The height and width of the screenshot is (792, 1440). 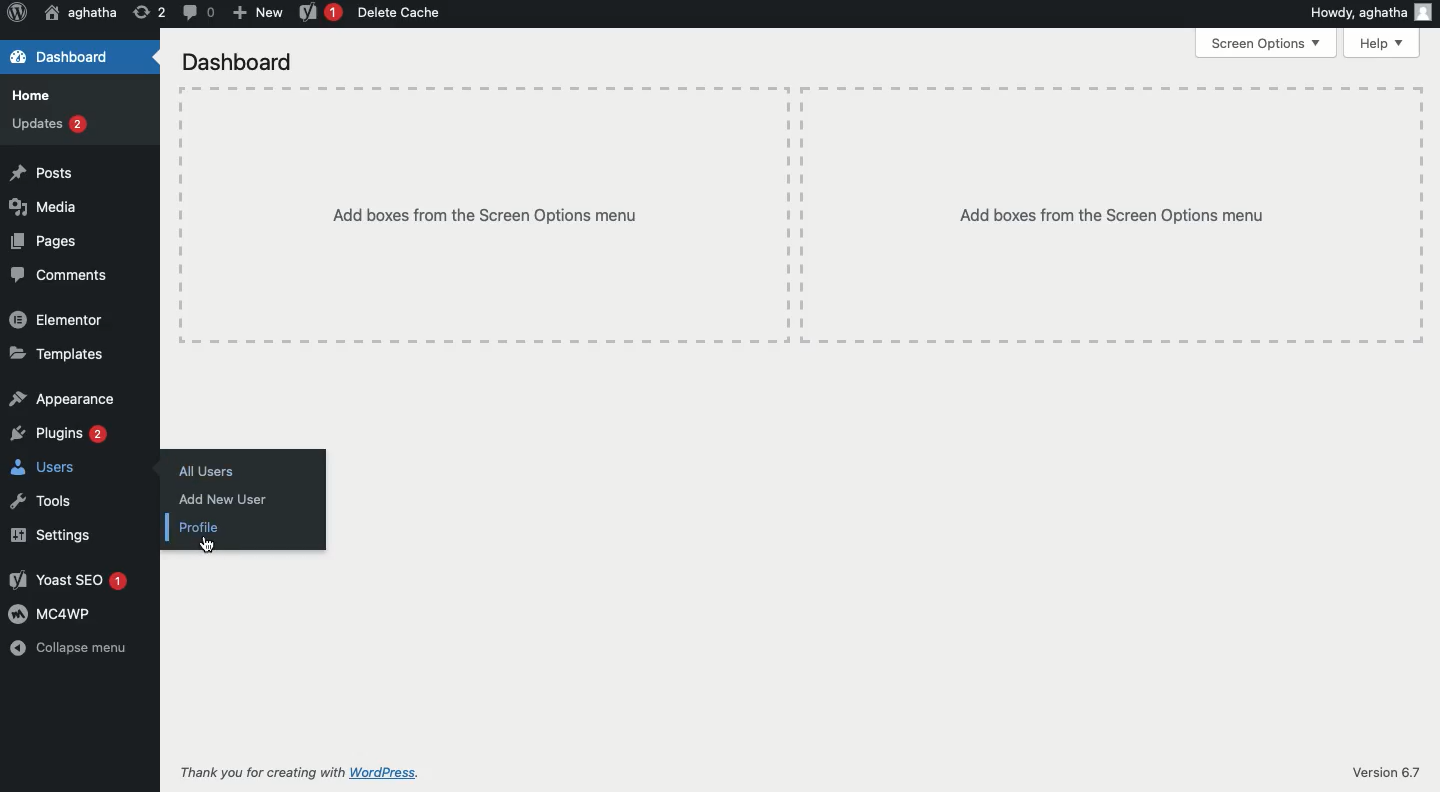 I want to click on Add boxes from the screen options menu, so click(x=800, y=214).